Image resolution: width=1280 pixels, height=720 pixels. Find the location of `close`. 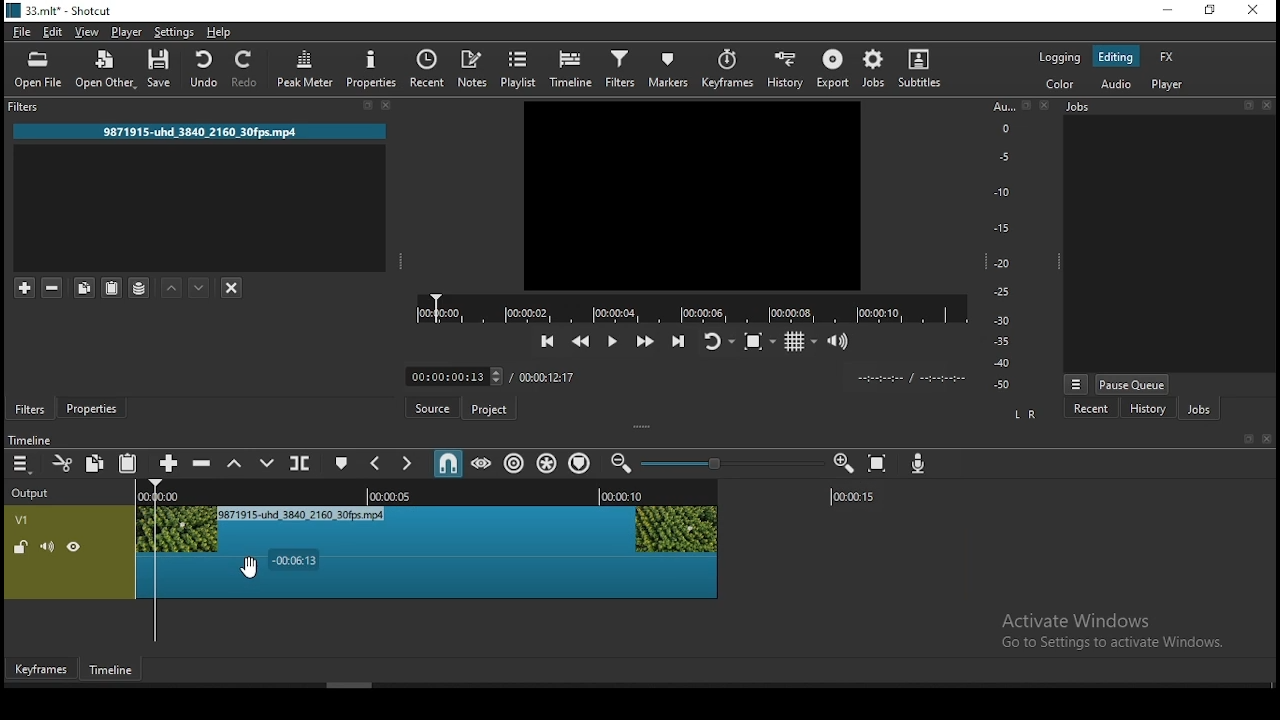

close is located at coordinates (385, 105).